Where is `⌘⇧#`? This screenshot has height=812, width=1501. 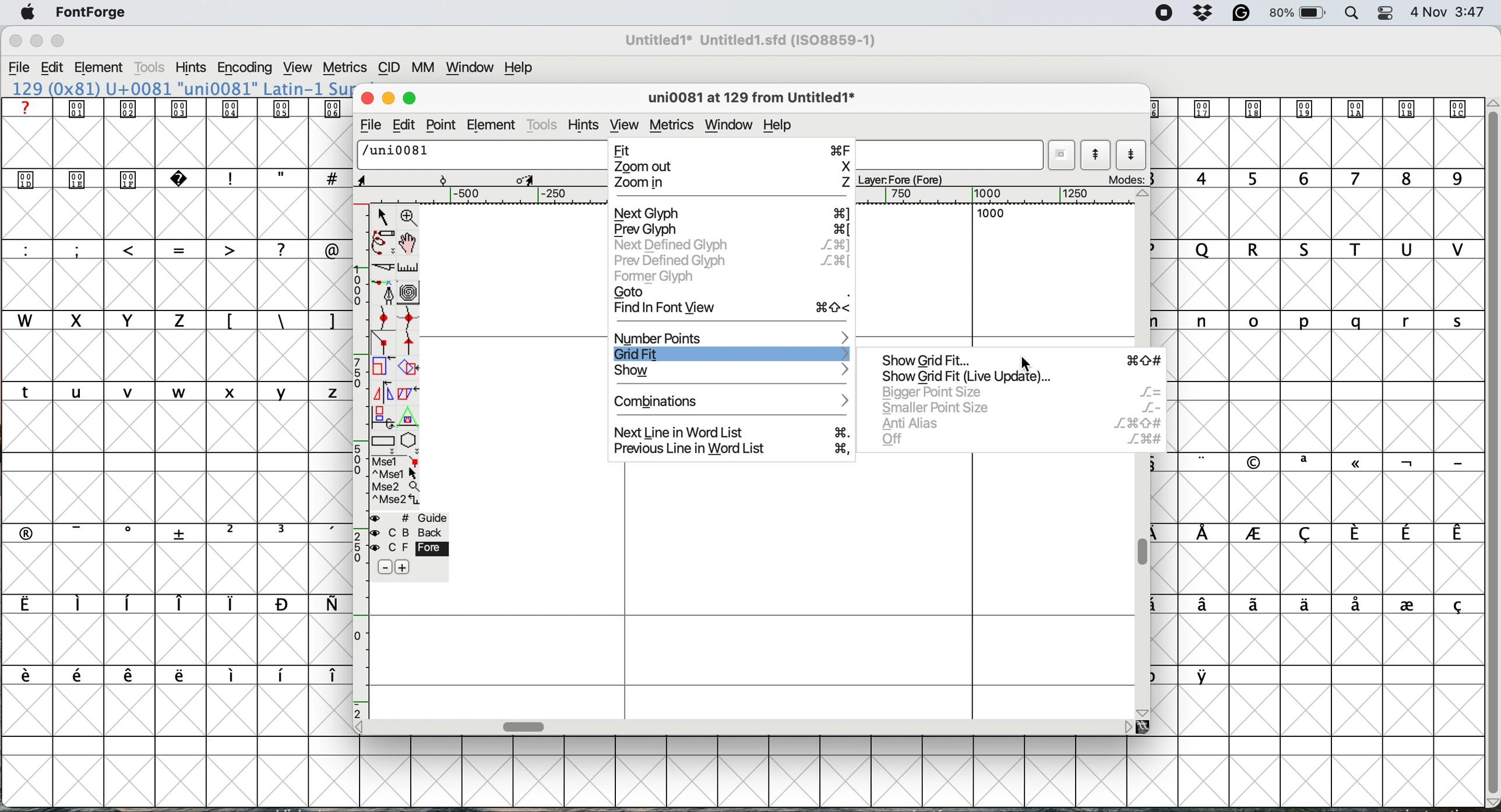 ⌘⇧# is located at coordinates (1146, 361).